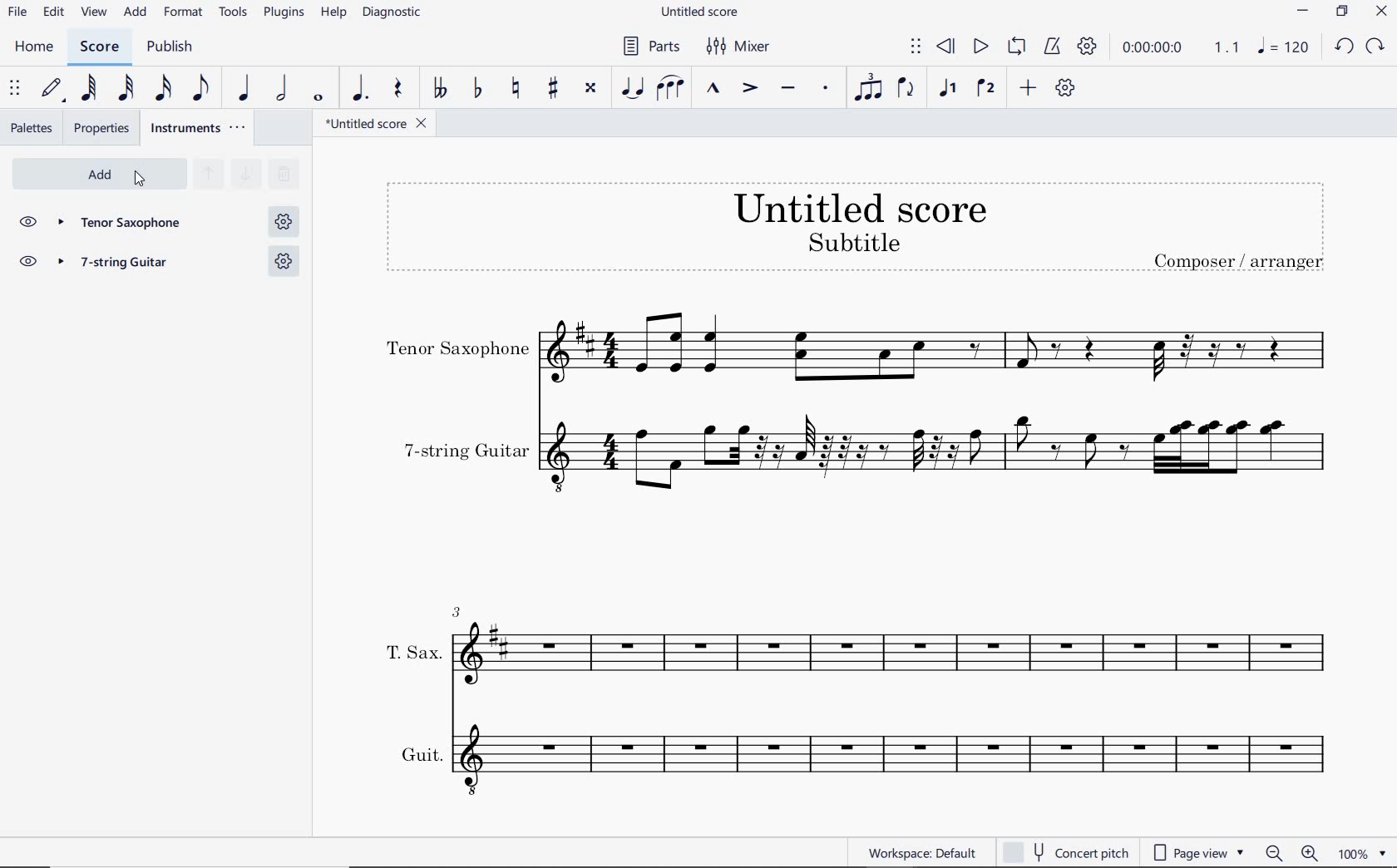 The width and height of the screenshot is (1397, 868). Describe the element at coordinates (481, 87) in the screenshot. I see `TOGGLE FLAT` at that location.